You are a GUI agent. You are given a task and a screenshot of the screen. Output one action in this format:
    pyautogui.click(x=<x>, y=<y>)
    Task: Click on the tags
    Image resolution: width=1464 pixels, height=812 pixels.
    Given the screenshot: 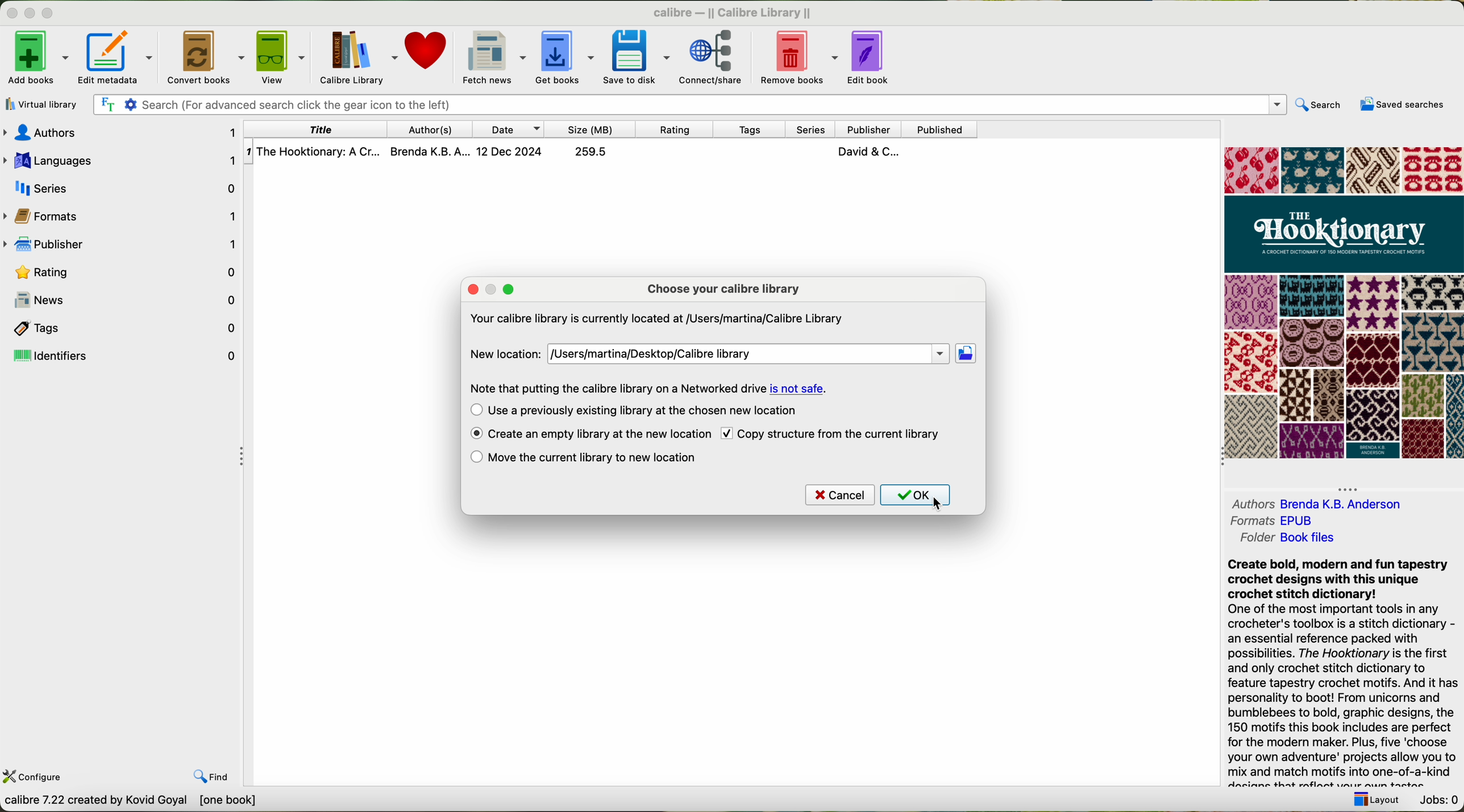 What is the action you would take?
    pyautogui.click(x=753, y=128)
    